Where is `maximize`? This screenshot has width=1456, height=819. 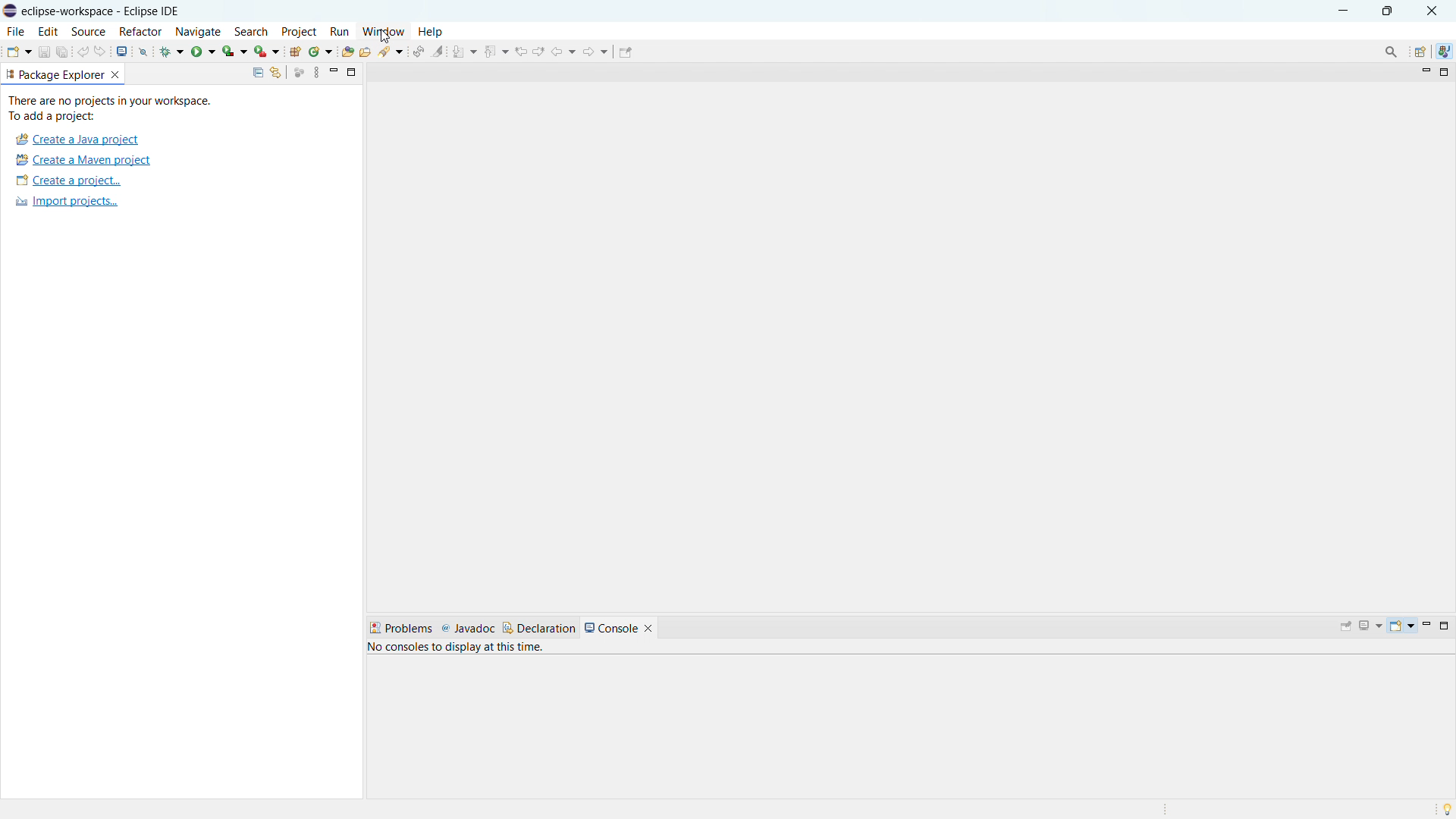
maximize is located at coordinates (1447, 626).